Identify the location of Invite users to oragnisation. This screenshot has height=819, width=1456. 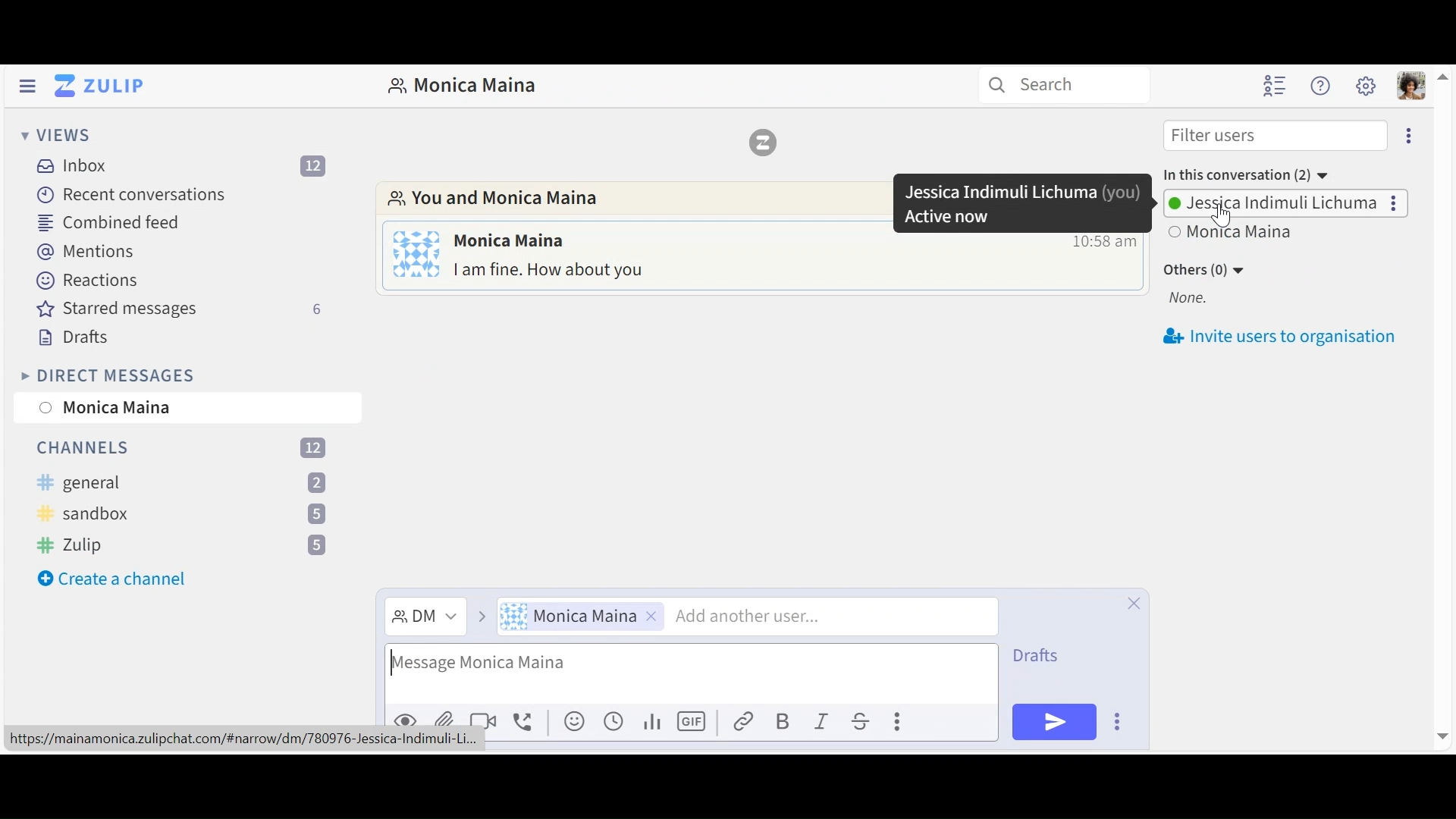
(1282, 268).